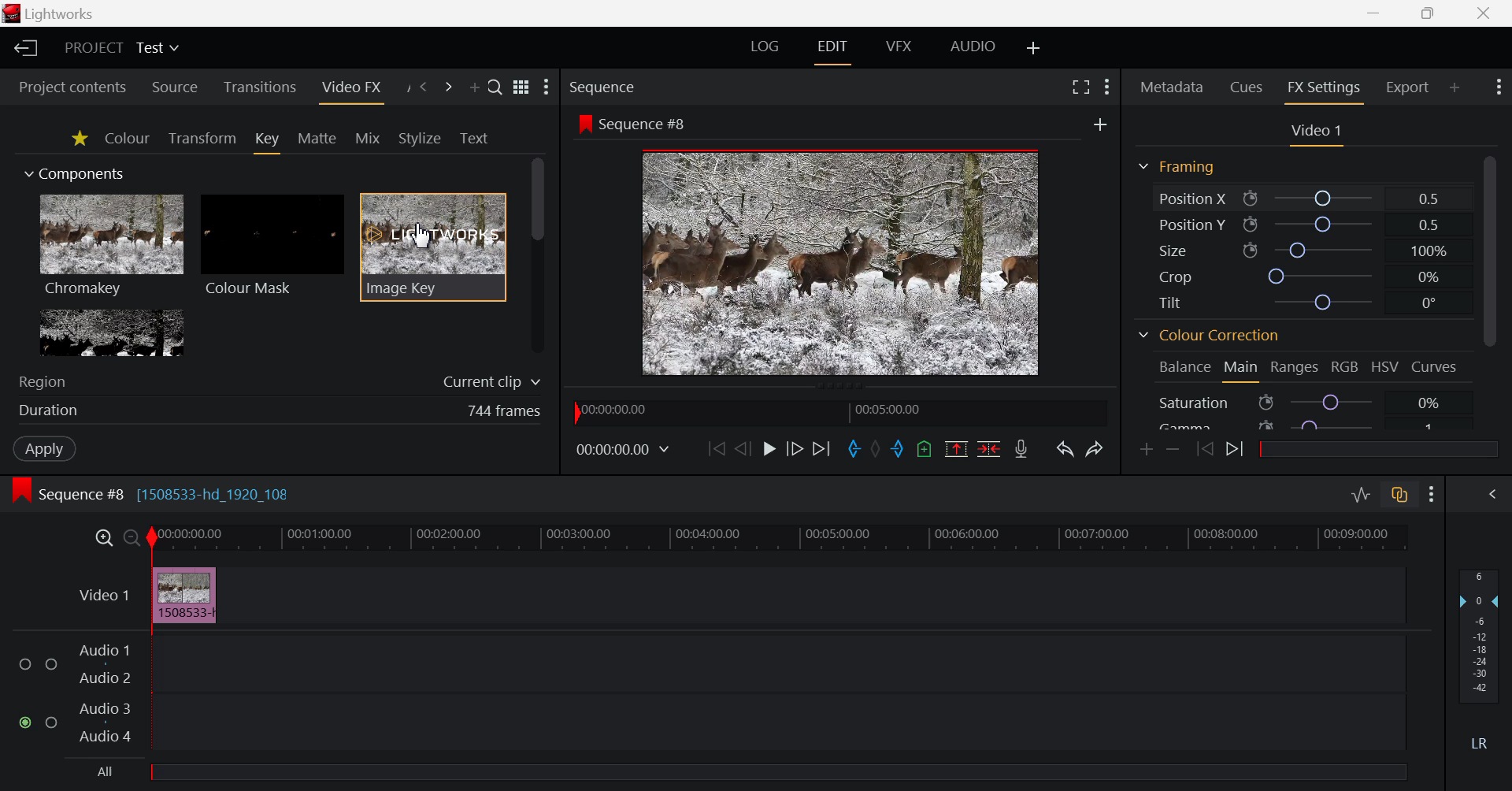  What do you see at coordinates (128, 538) in the screenshot?
I see `Timeline Zoom Out` at bounding box center [128, 538].